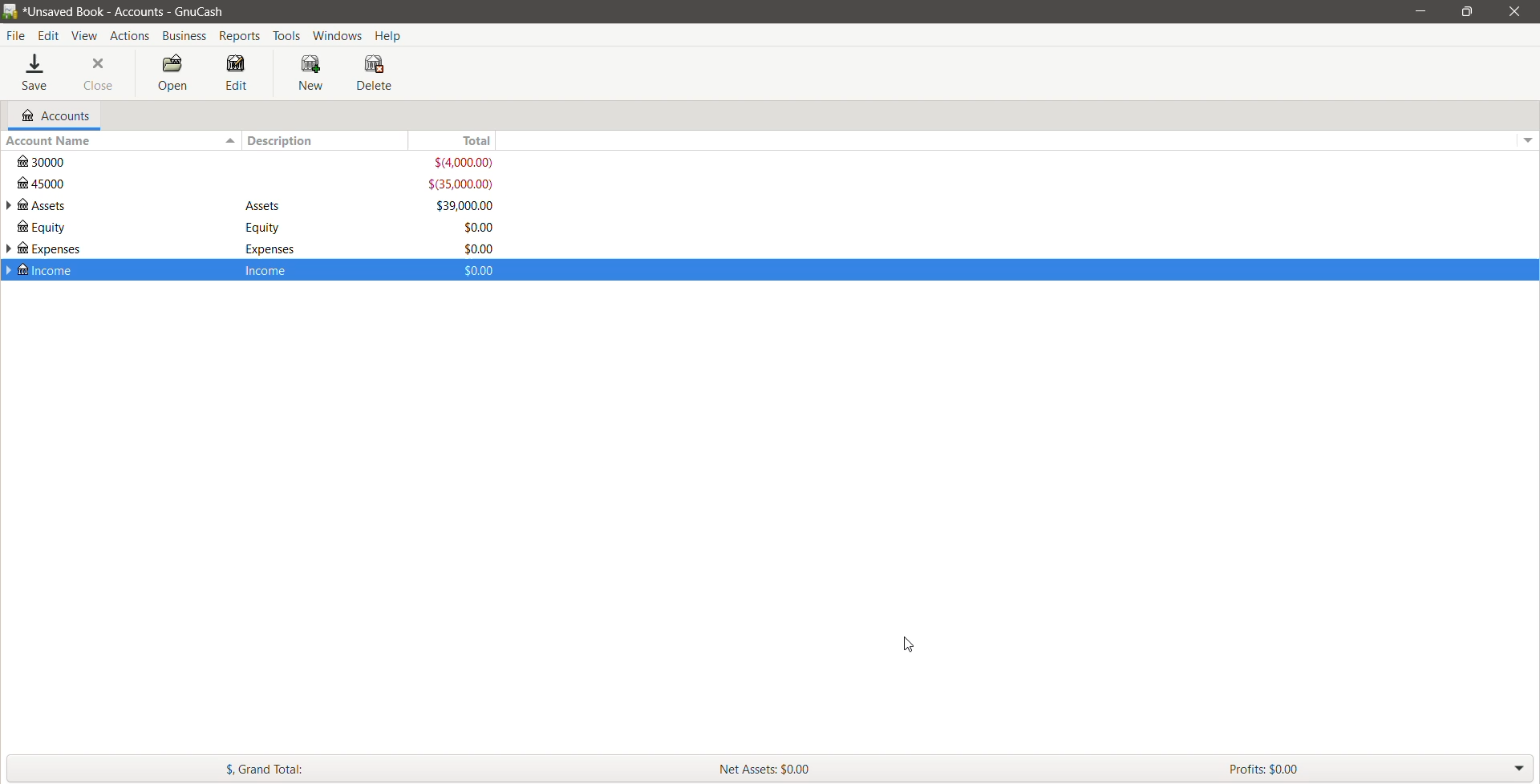 The image size is (1540, 784). Describe the element at coordinates (259, 228) in the screenshot. I see `details of the account "Equity"` at that location.